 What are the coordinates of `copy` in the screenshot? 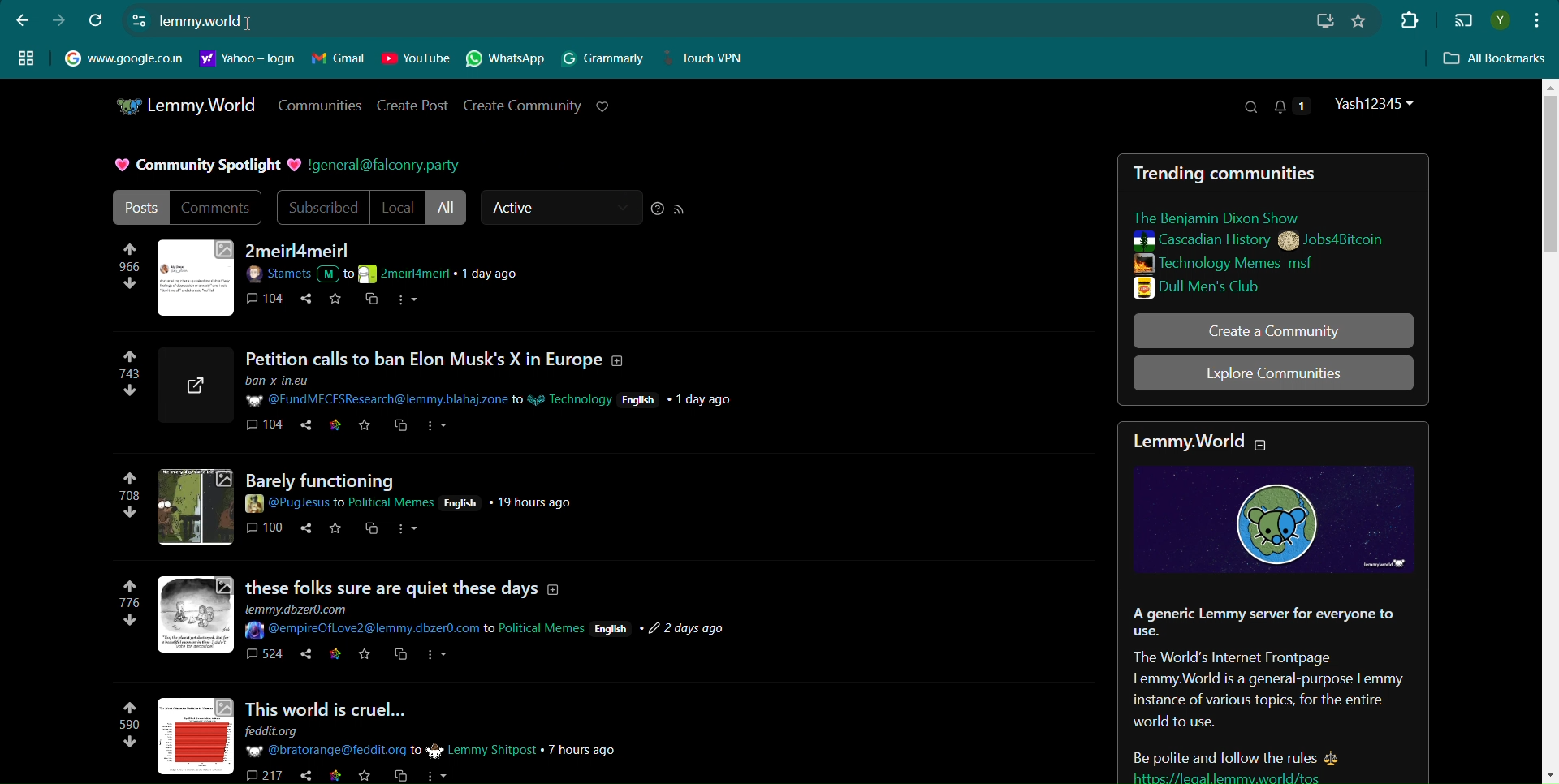 It's located at (372, 301).